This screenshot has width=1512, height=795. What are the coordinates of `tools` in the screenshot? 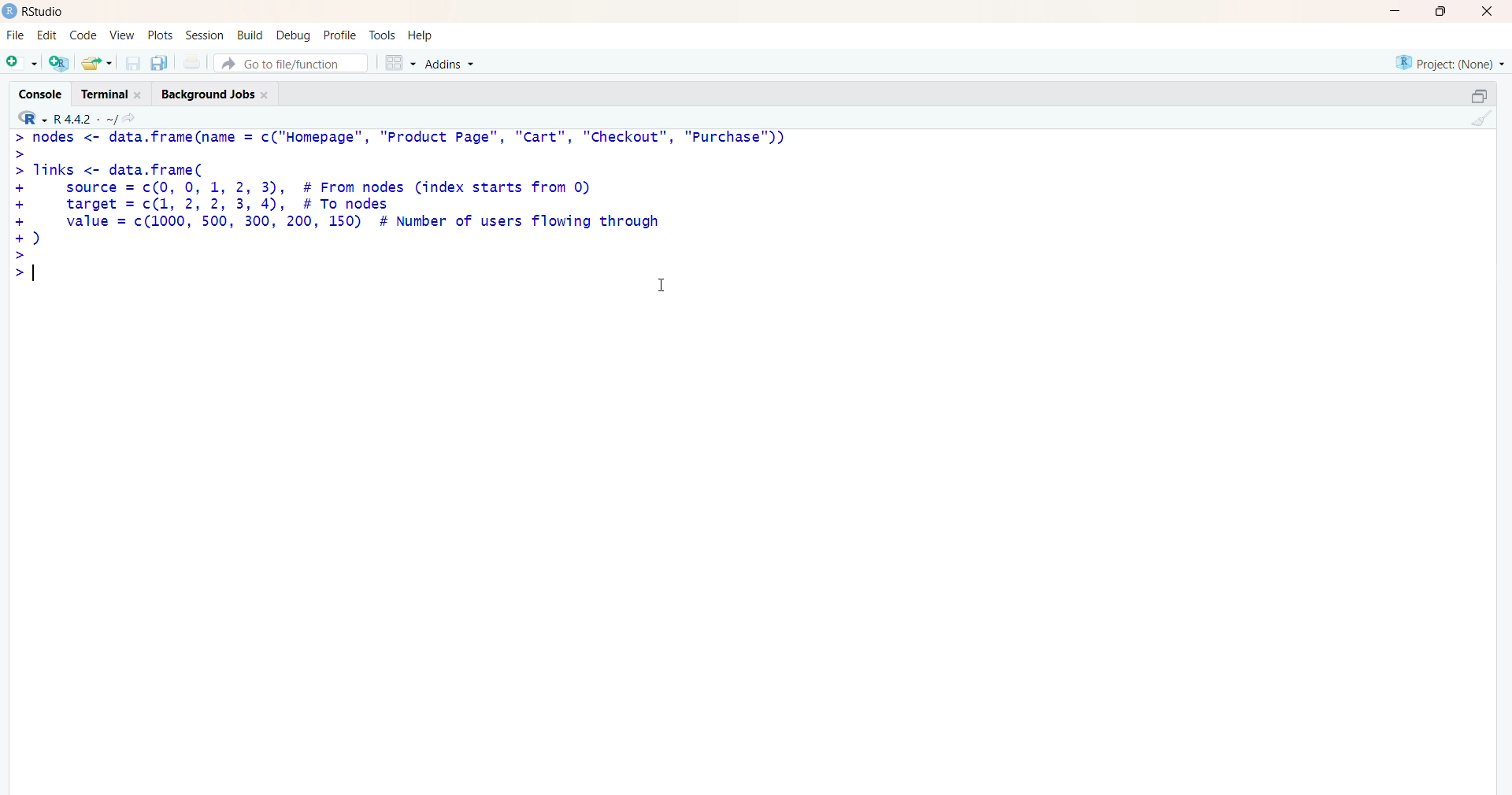 It's located at (383, 33).